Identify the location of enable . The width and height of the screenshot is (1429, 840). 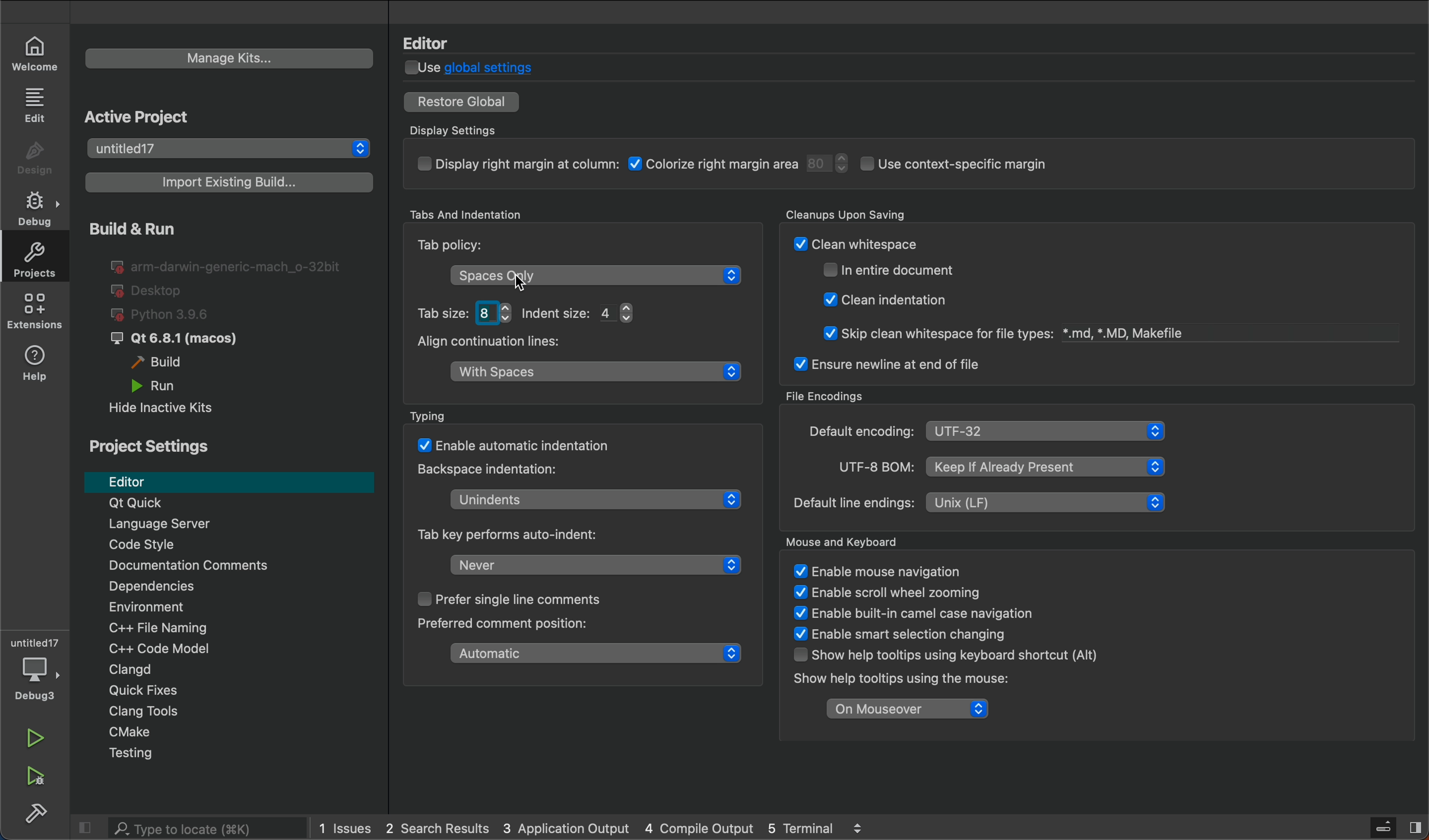
(907, 632).